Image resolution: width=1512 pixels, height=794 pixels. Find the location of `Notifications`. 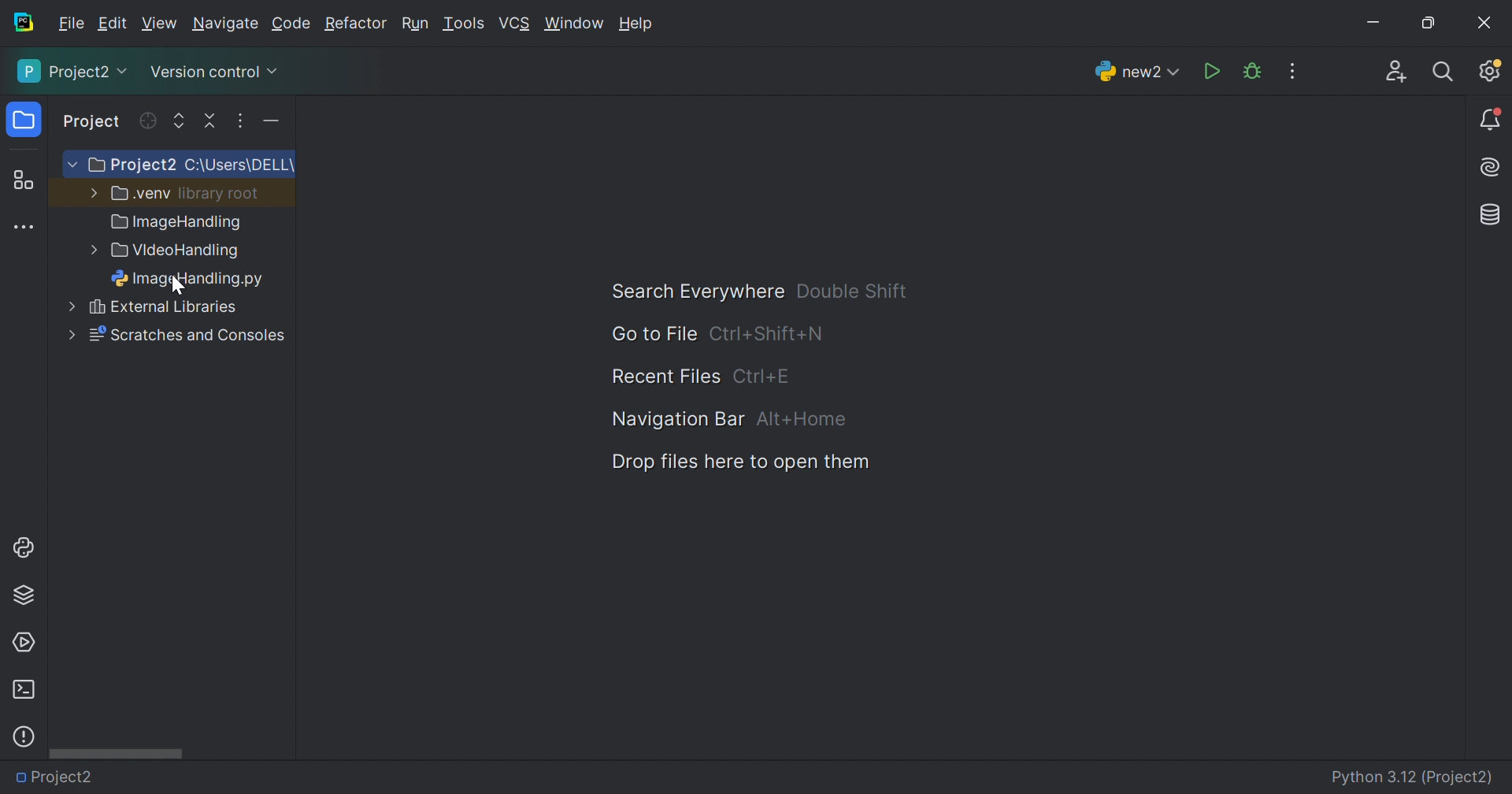

Notifications is located at coordinates (1492, 121).